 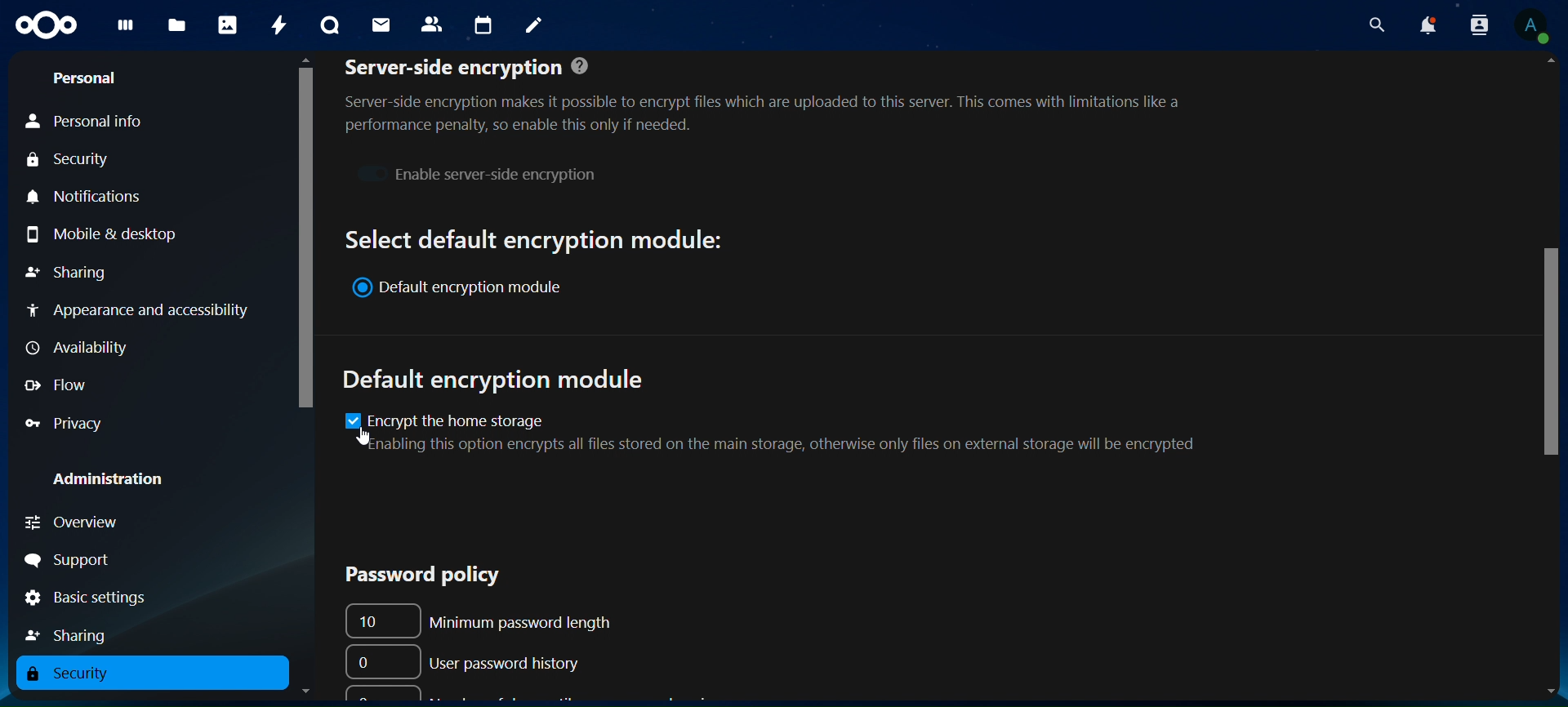 What do you see at coordinates (109, 233) in the screenshot?
I see `mobile & desktop` at bounding box center [109, 233].